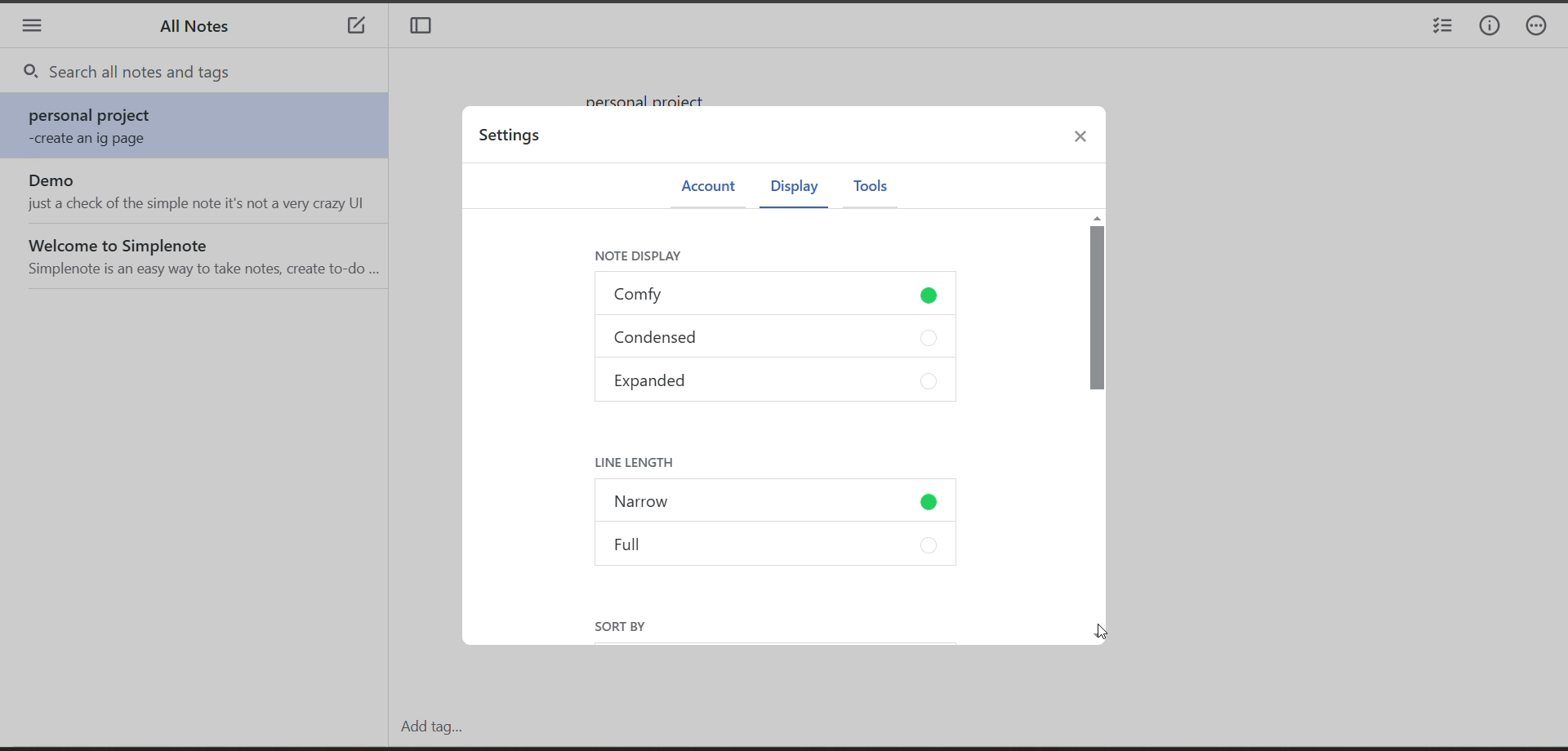 The height and width of the screenshot is (751, 1568). What do you see at coordinates (201, 31) in the screenshot?
I see `all notes` at bounding box center [201, 31].